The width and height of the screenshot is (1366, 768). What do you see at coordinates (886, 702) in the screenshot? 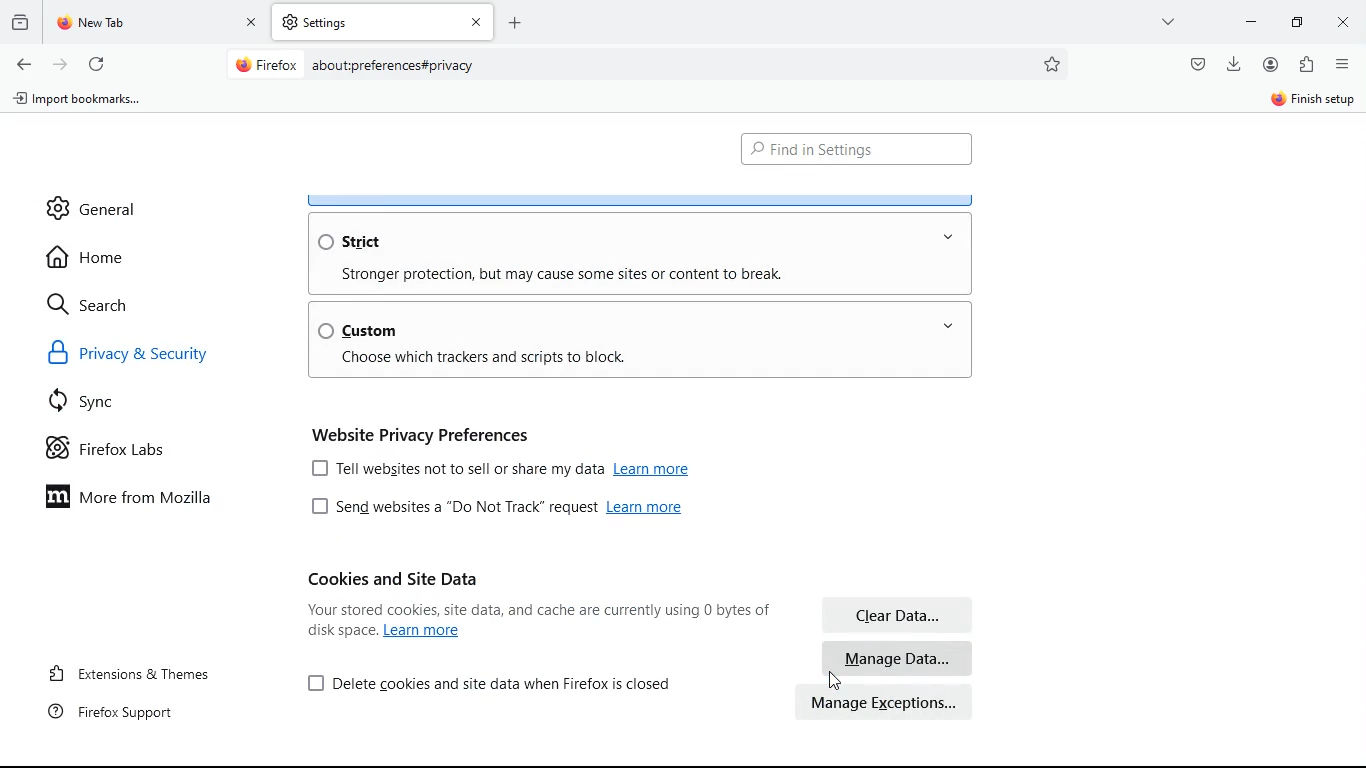
I see `manage exceptions` at bounding box center [886, 702].